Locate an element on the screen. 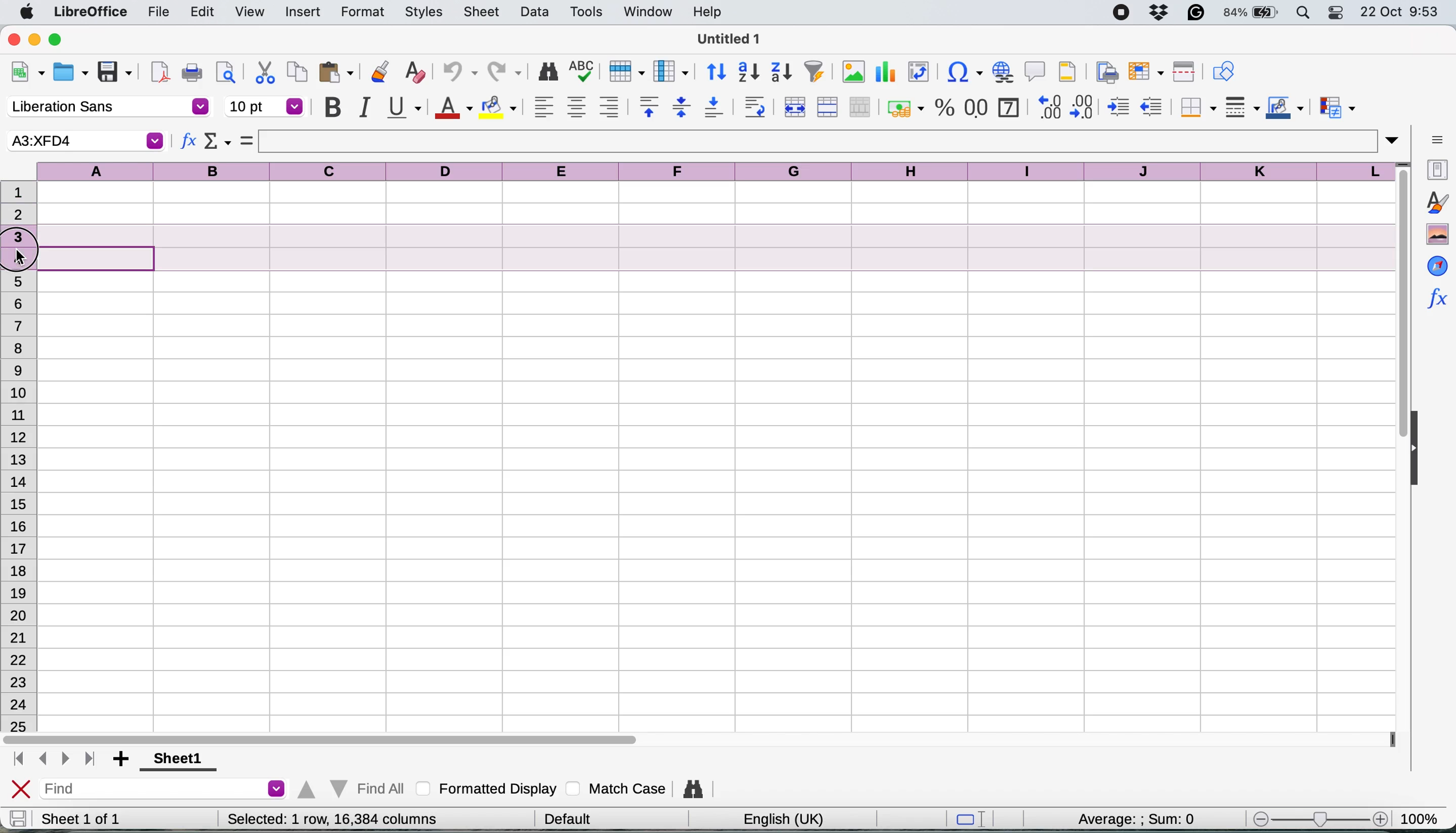 The image size is (1456, 833). control center is located at coordinates (1339, 13).